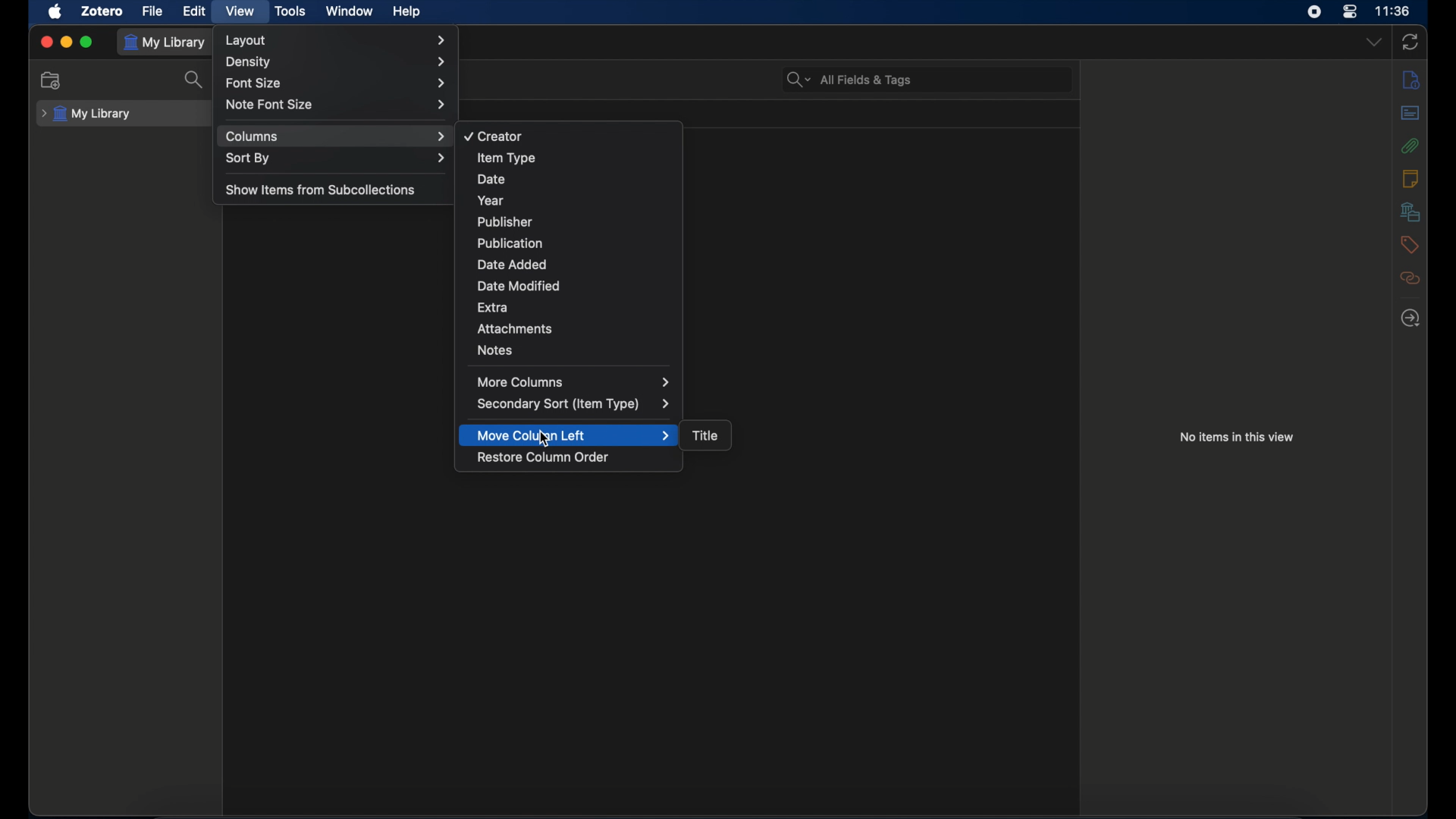  I want to click on view, so click(240, 11).